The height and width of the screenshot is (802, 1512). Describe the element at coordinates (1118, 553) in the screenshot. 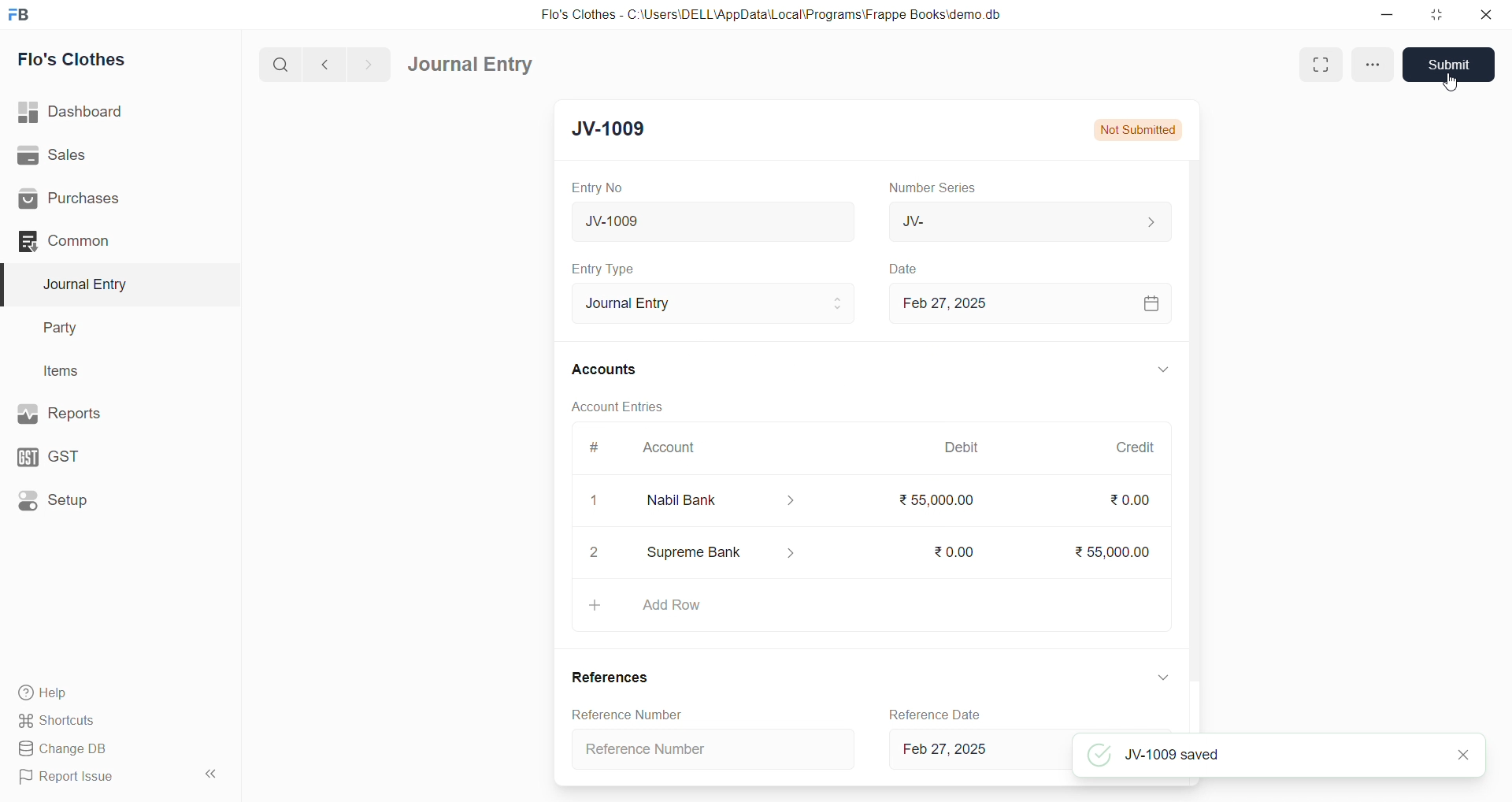

I see `₹55,000.00` at that location.